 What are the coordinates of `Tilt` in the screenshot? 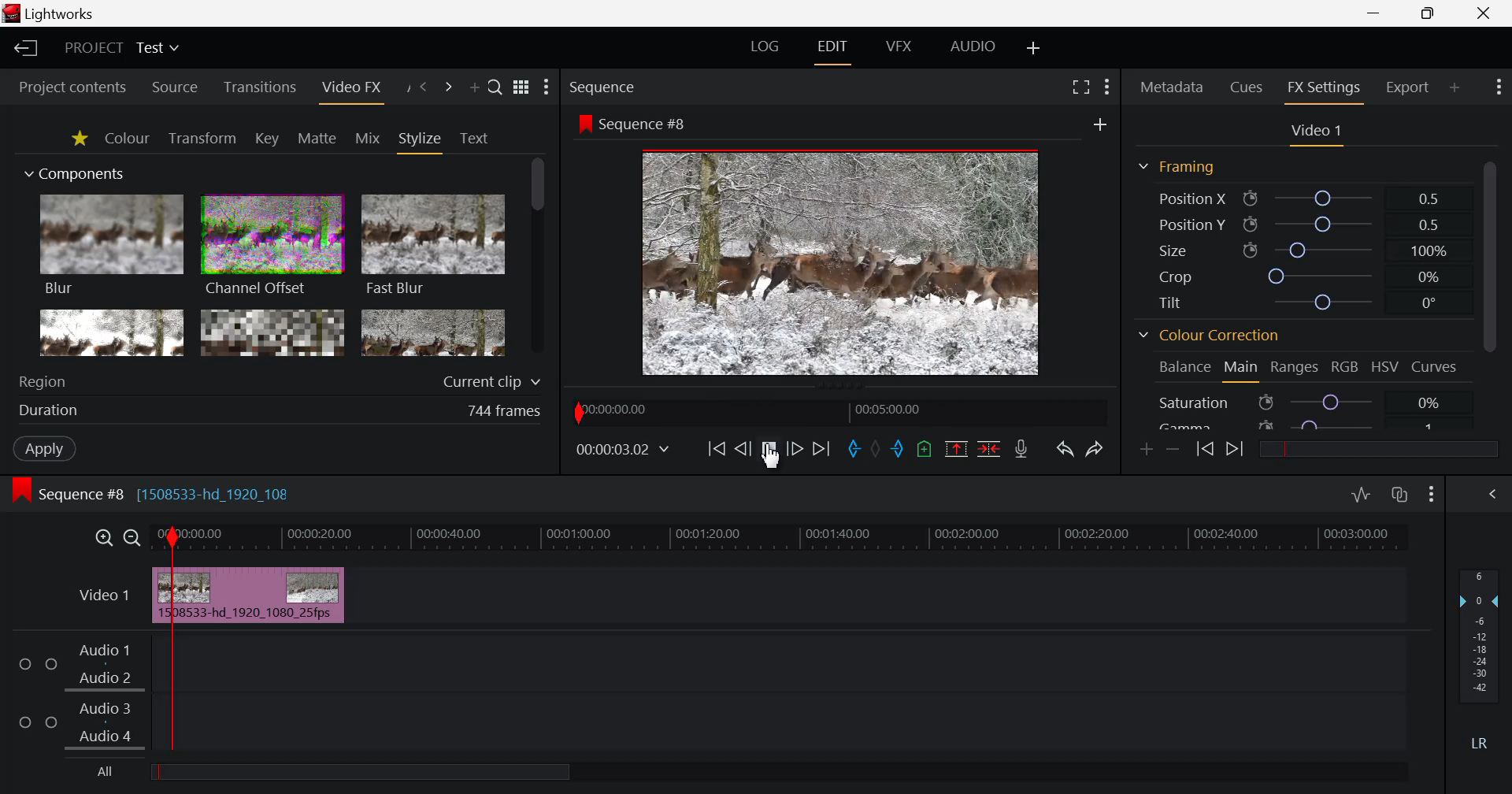 It's located at (1295, 302).